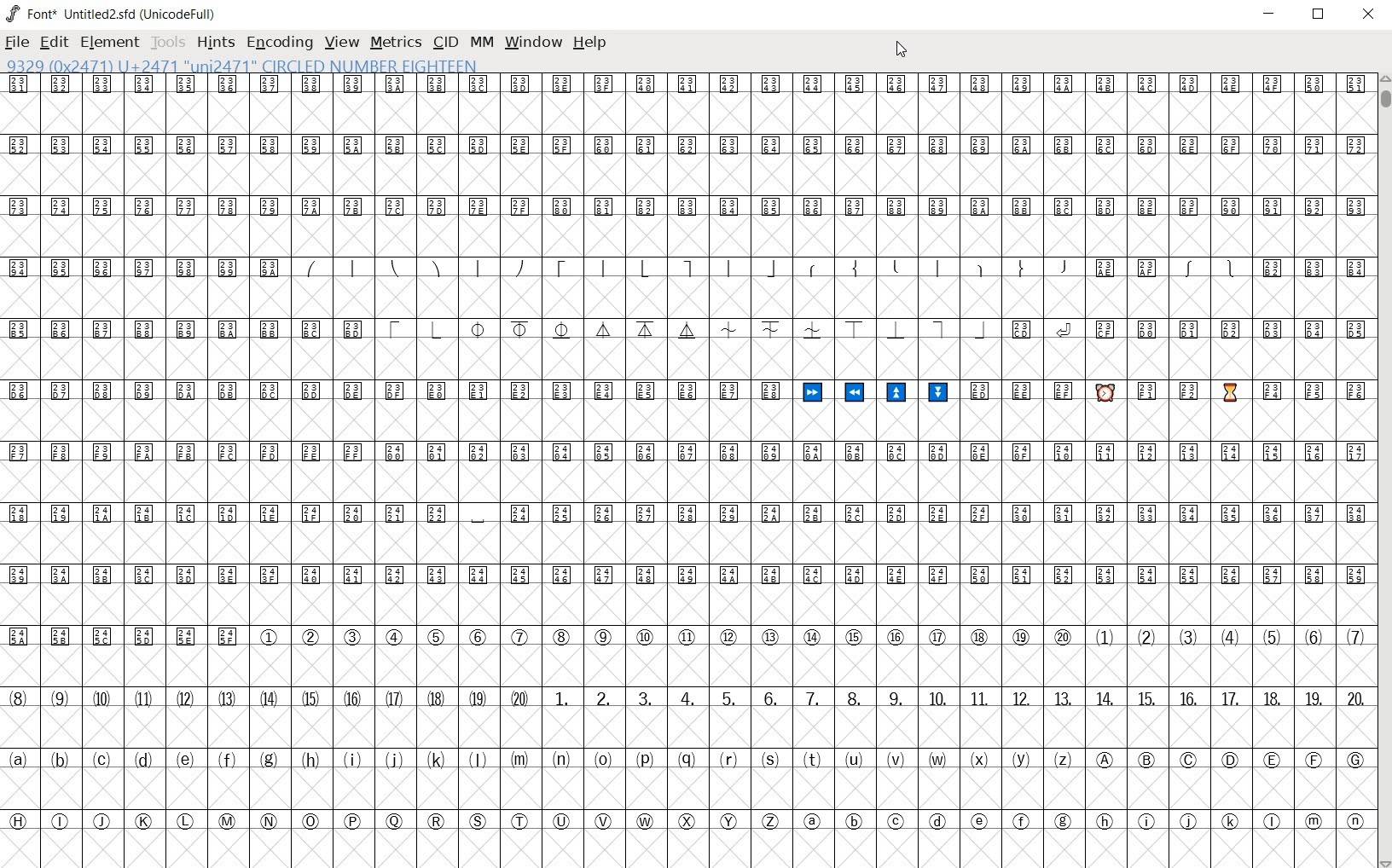  I want to click on minimize, so click(1272, 15).